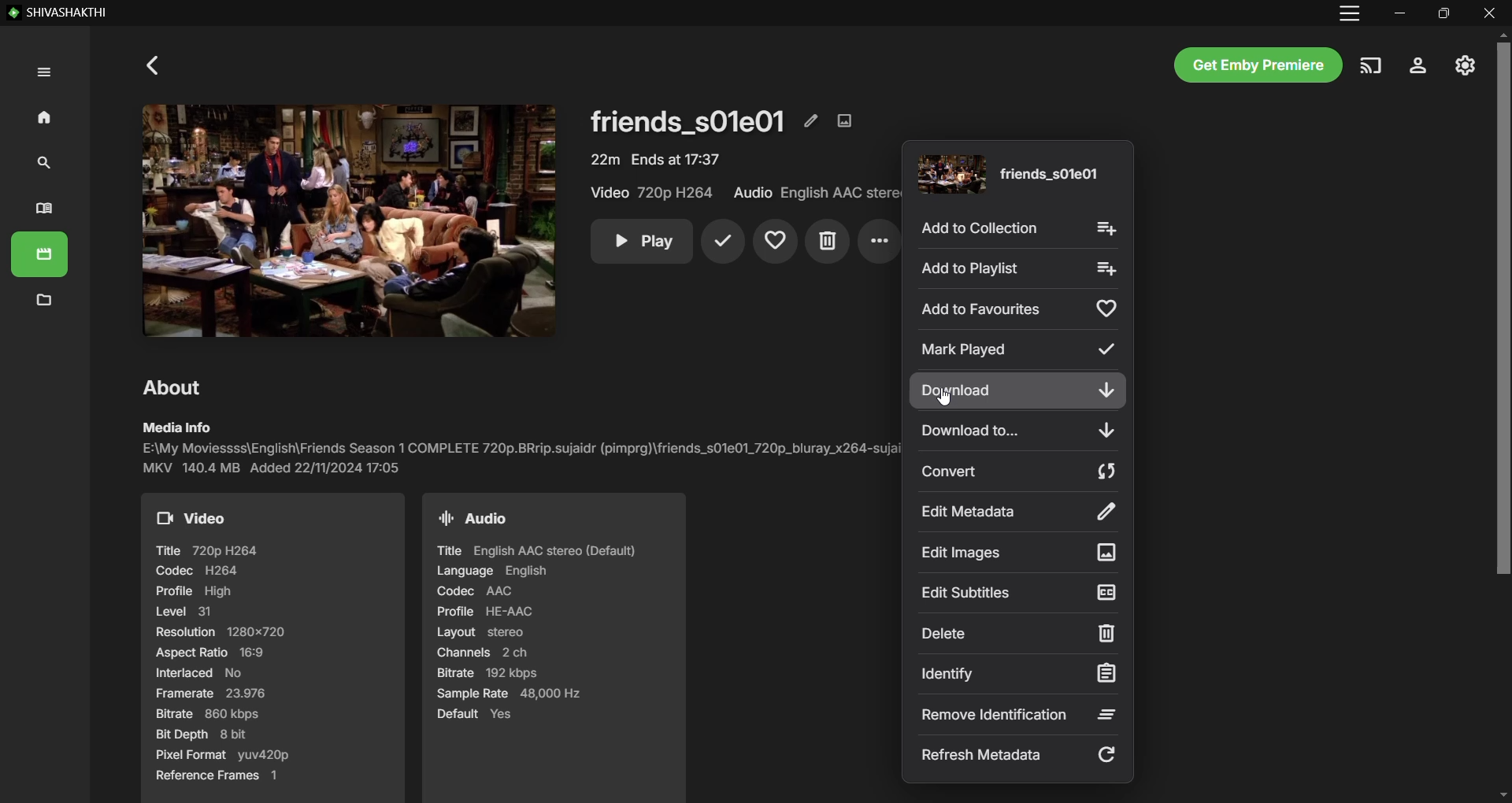 This screenshot has width=1512, height=803. I want to click on Restore Down, so click(1443, 13).